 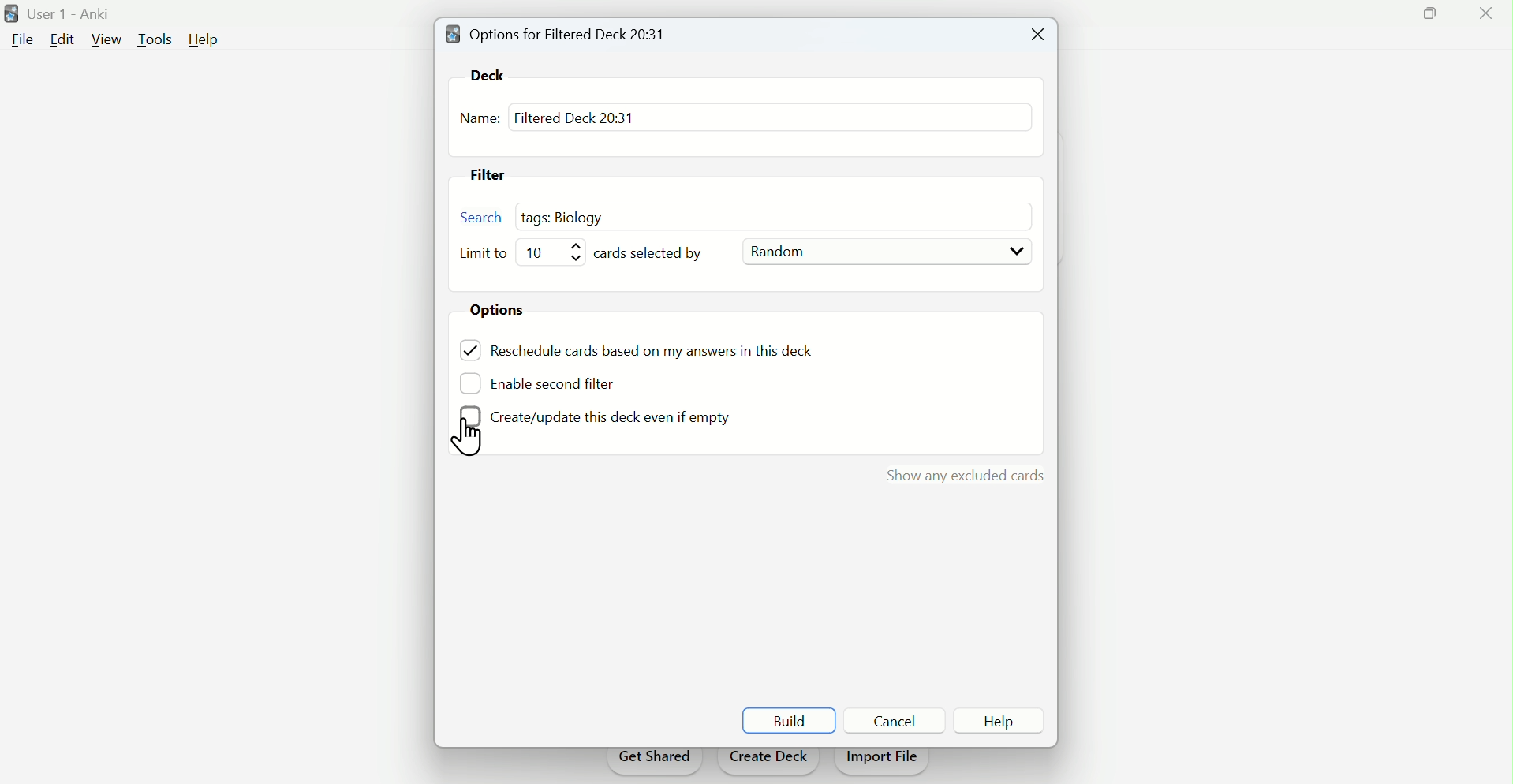 What do you see at coordinates (107, 39) in the screenshot?
I see `View` at bounding box center [107, 39].